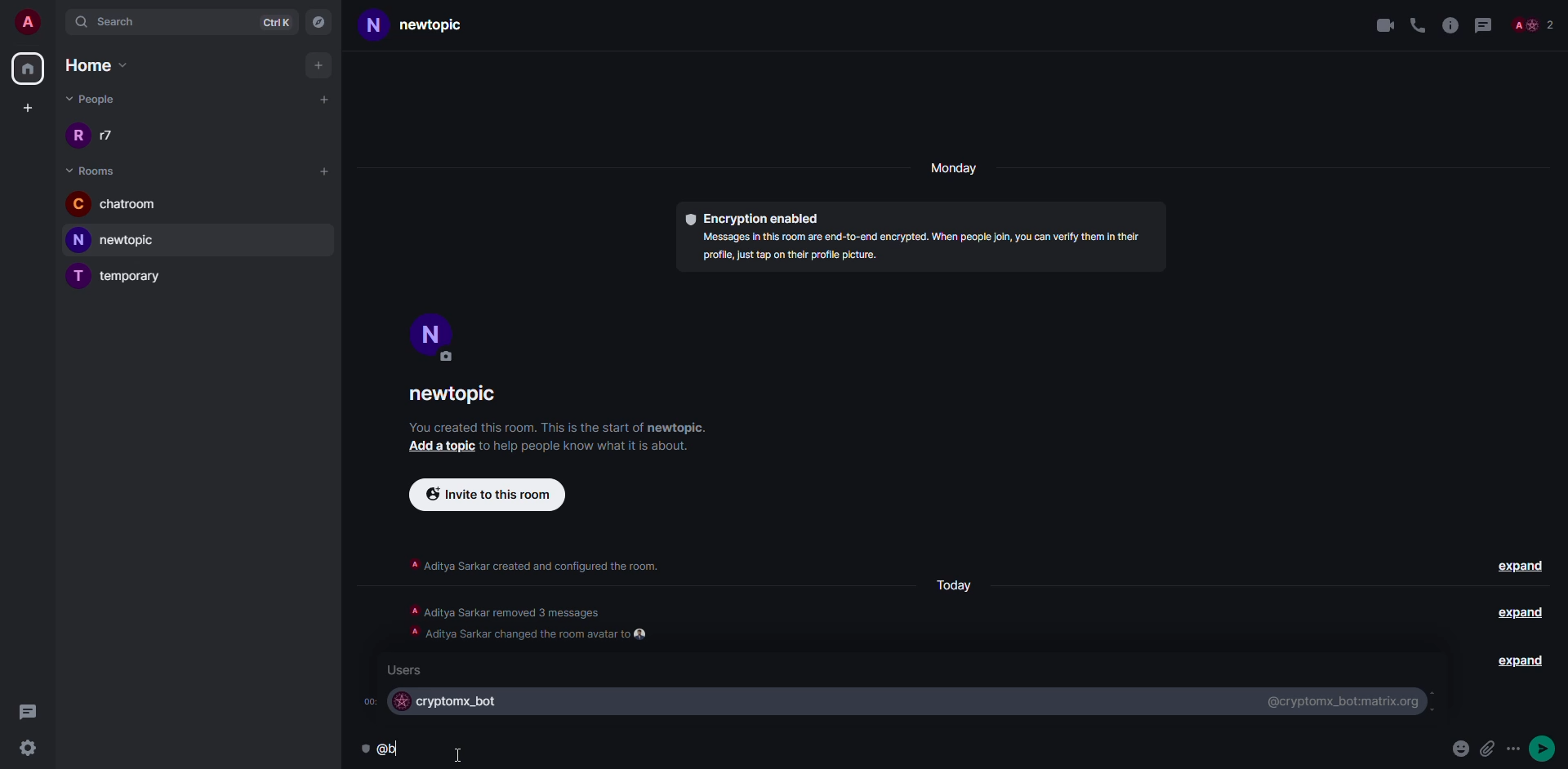 The width and height of the screenshot is (1568, 769). Describe the element at coordinates (408, 669) in the screenshot. I see `users` at that location.